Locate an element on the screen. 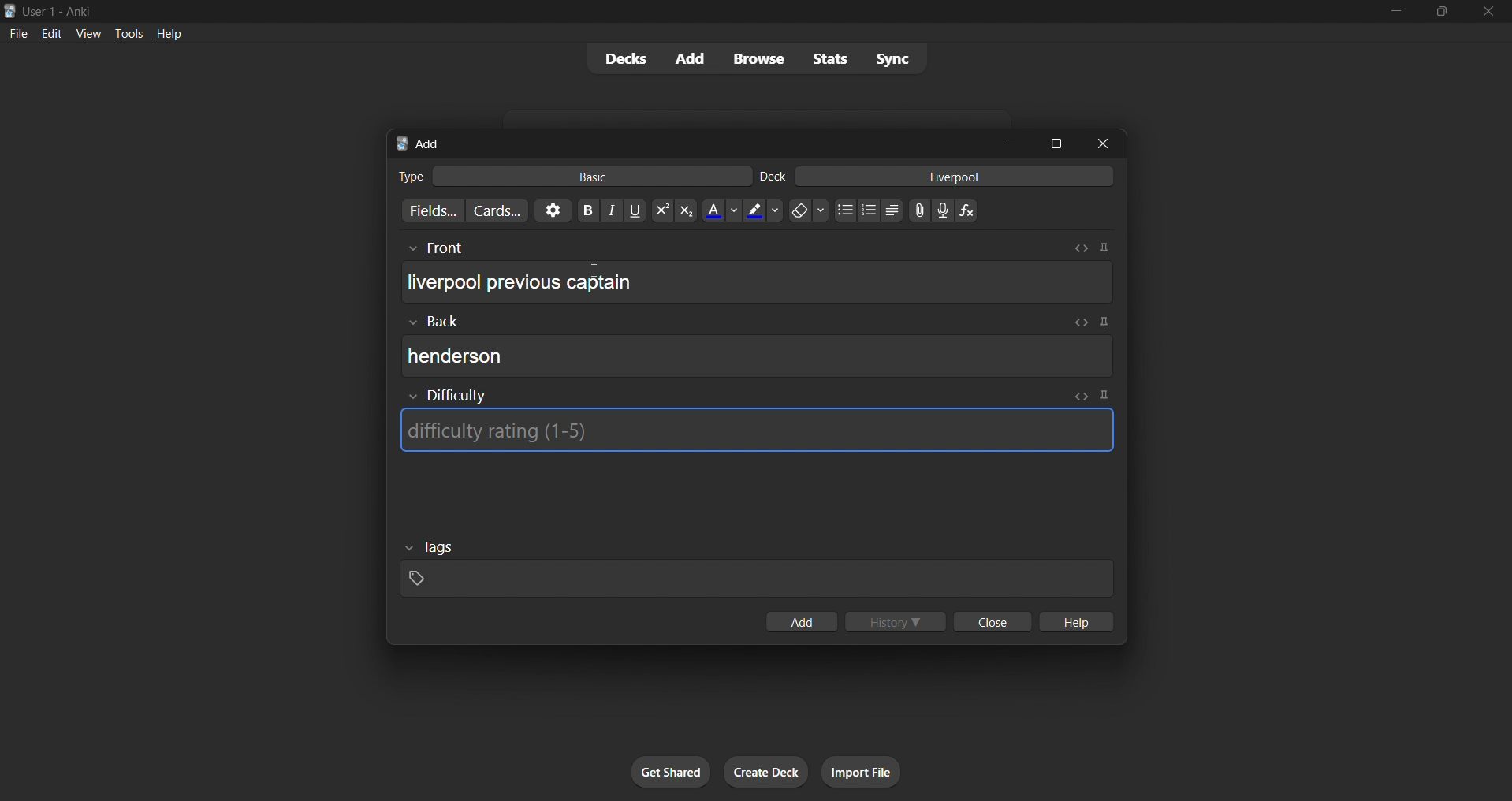  dotted list is located at coordinates (844, 212).